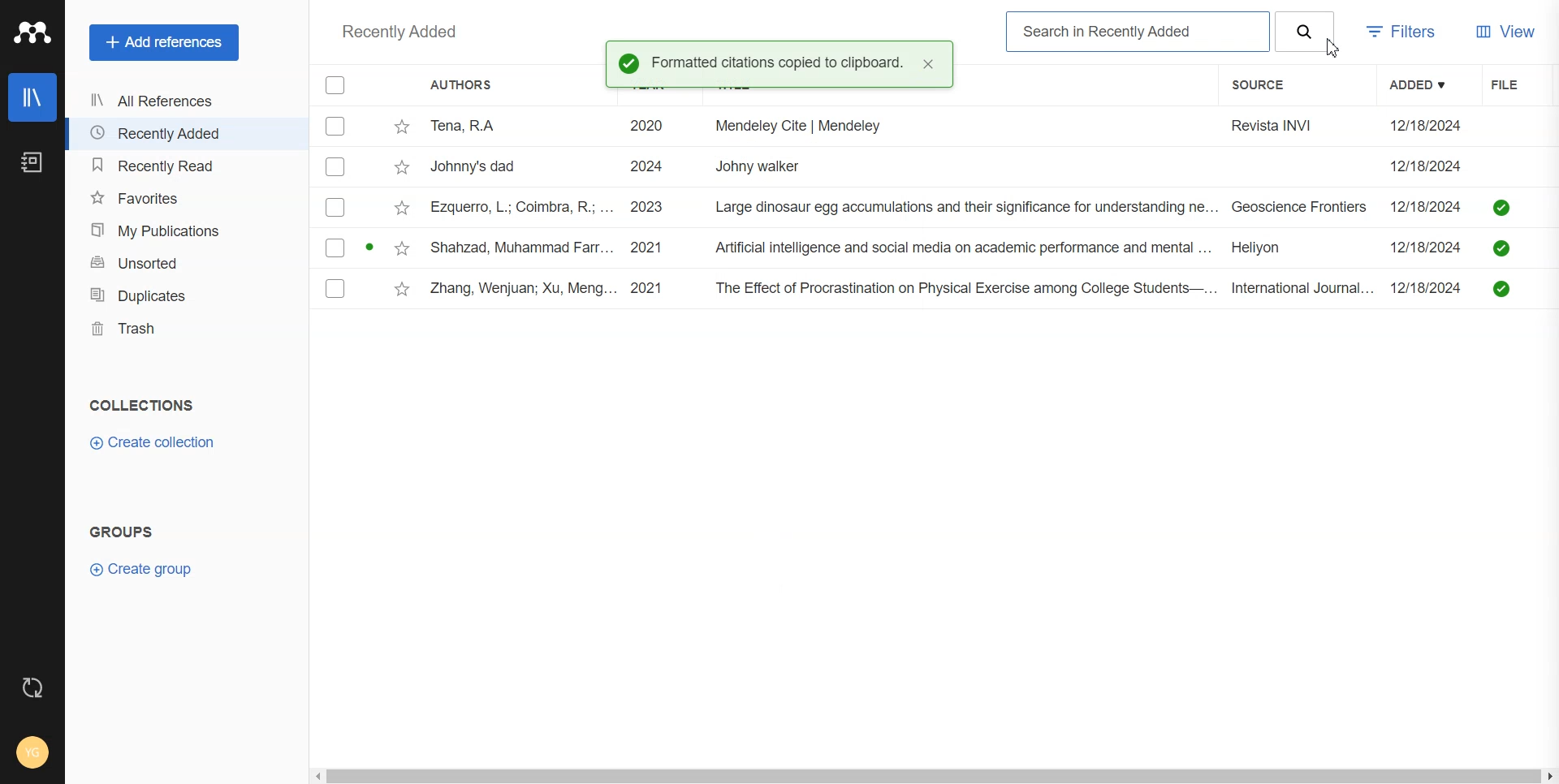  What do you see at coordinates (140, 569) in the screenshot?
I see `Create group` at bounding box center [140, 569].